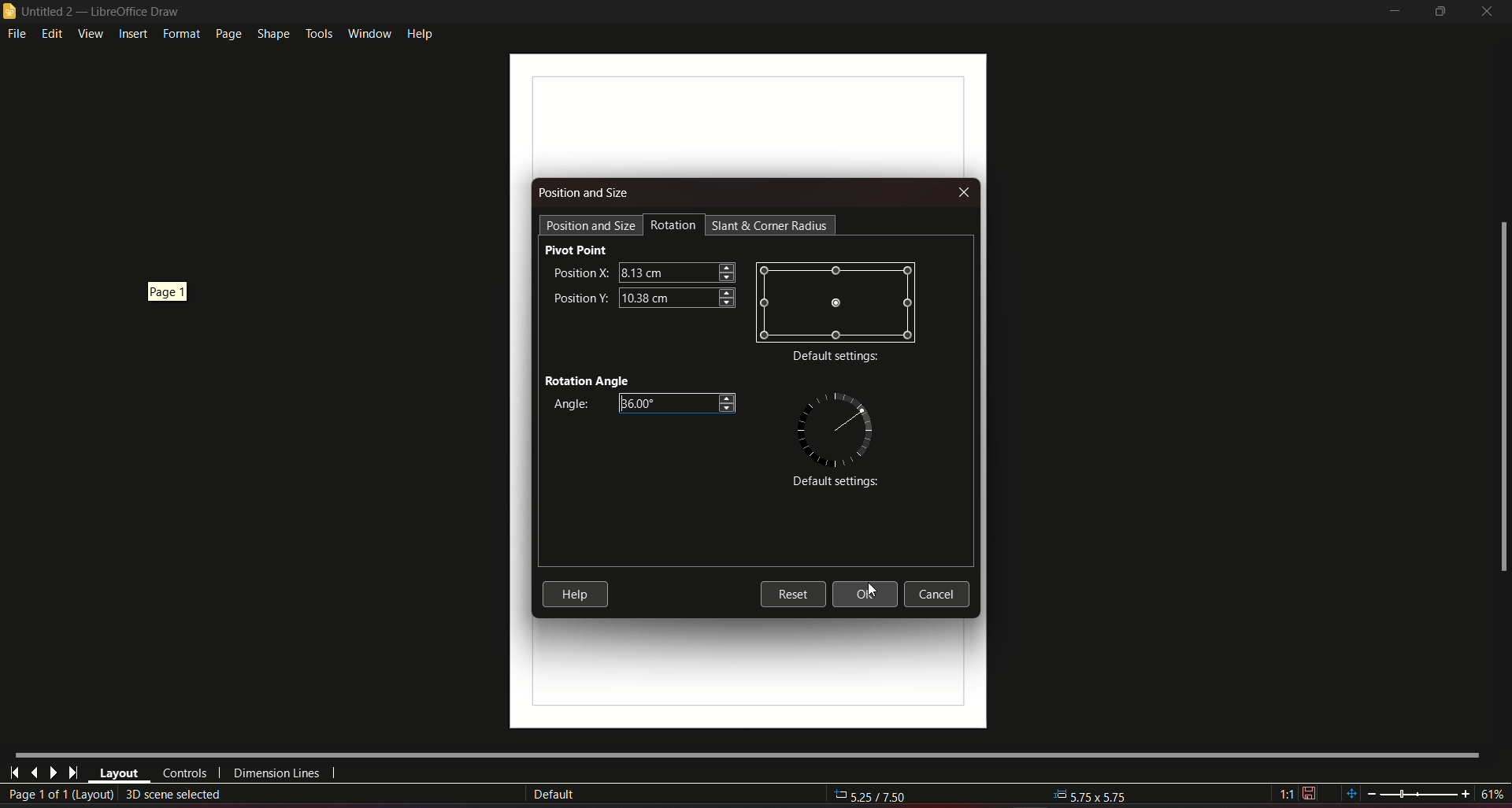 The image size is (1512, 808). What do you see at coordinates (15, 771) in the screenshot?
I see `first page` at bounding box center [15, 771].